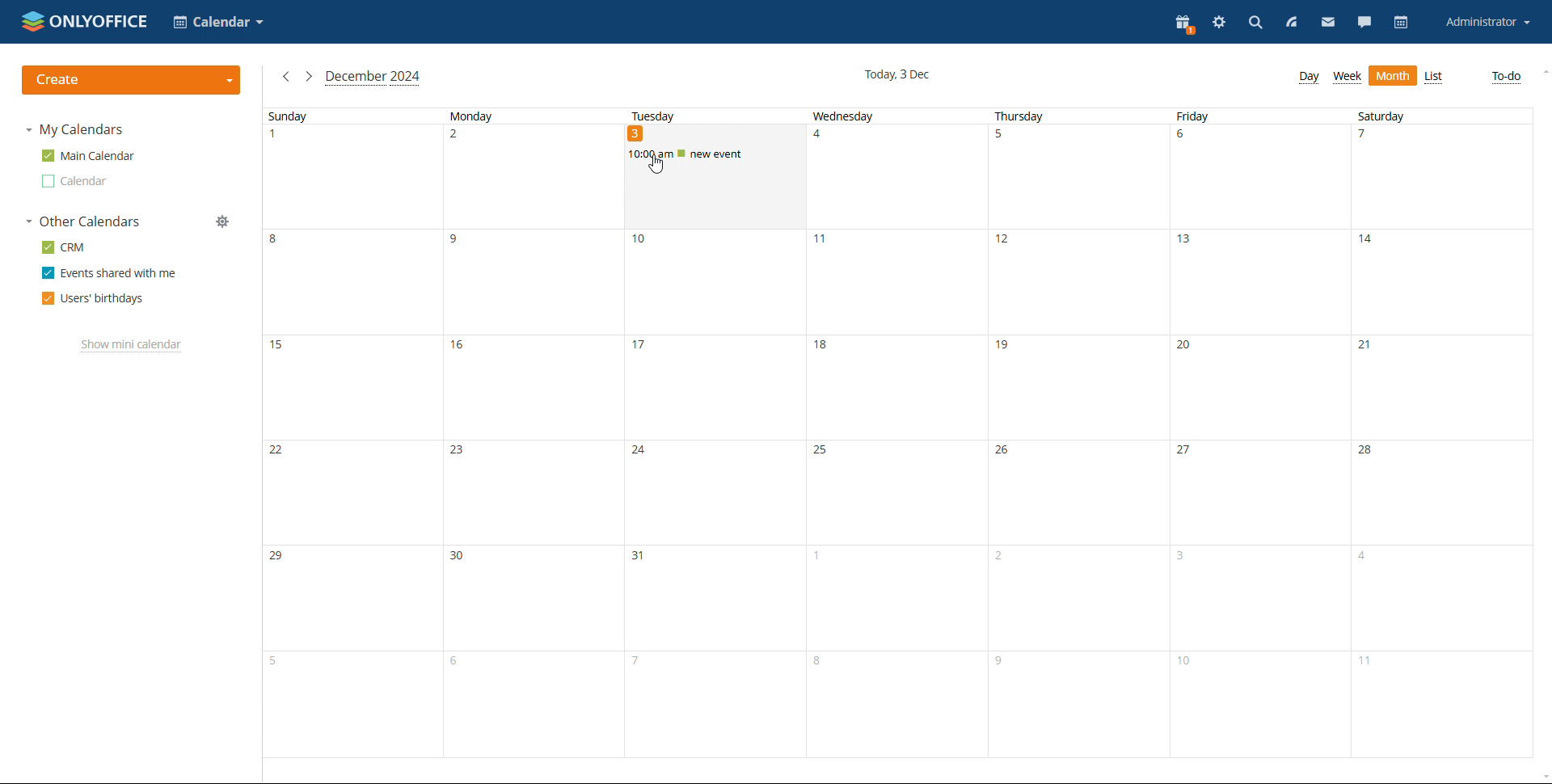  Describe the element at coordinates (896, 116) in the screenshot. I see `Wednesday` at that location.